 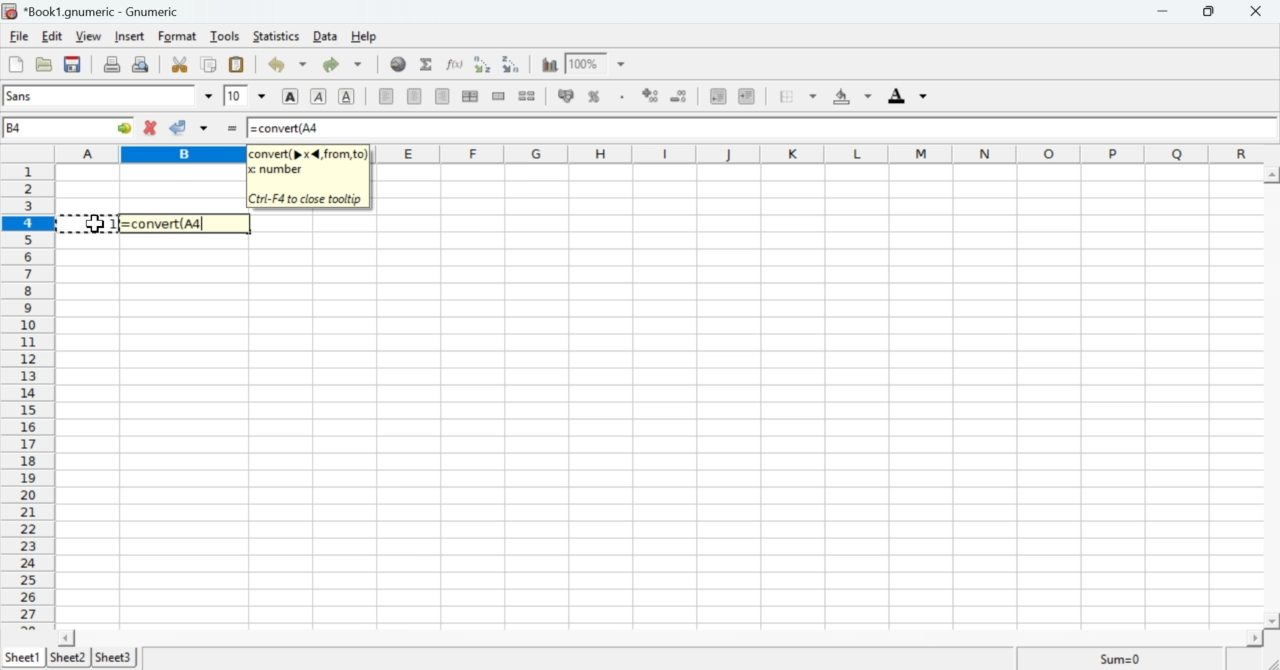 I want to click on scroll down, so click(x=1272, y=621).